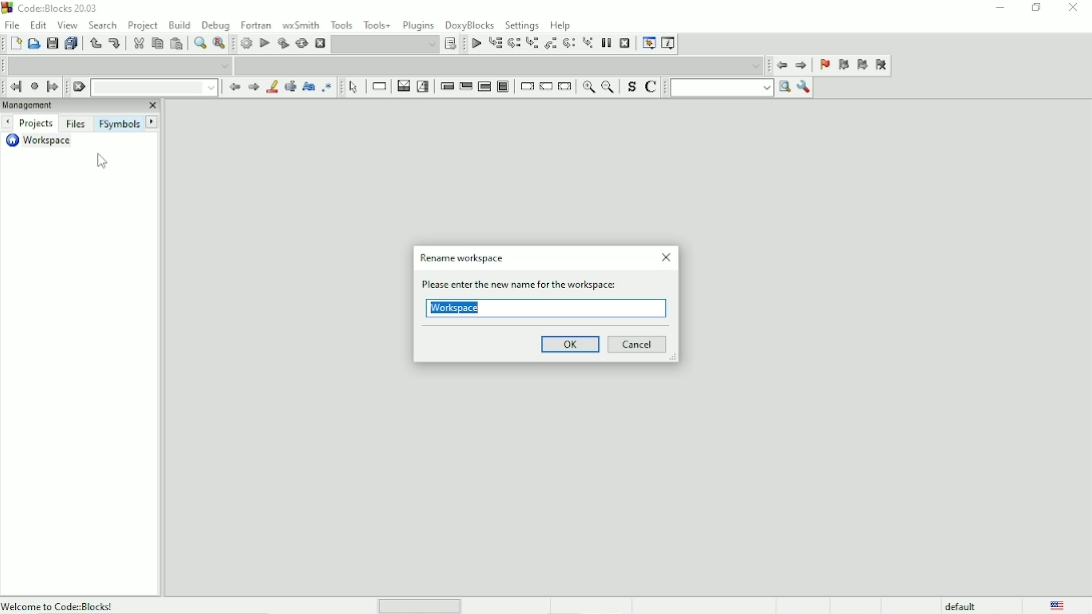 The image size is (1092, 614). What do you see at coordinates (780, 65) in the screenshot?
I see `Jump back` at bounding box center [780, 65].